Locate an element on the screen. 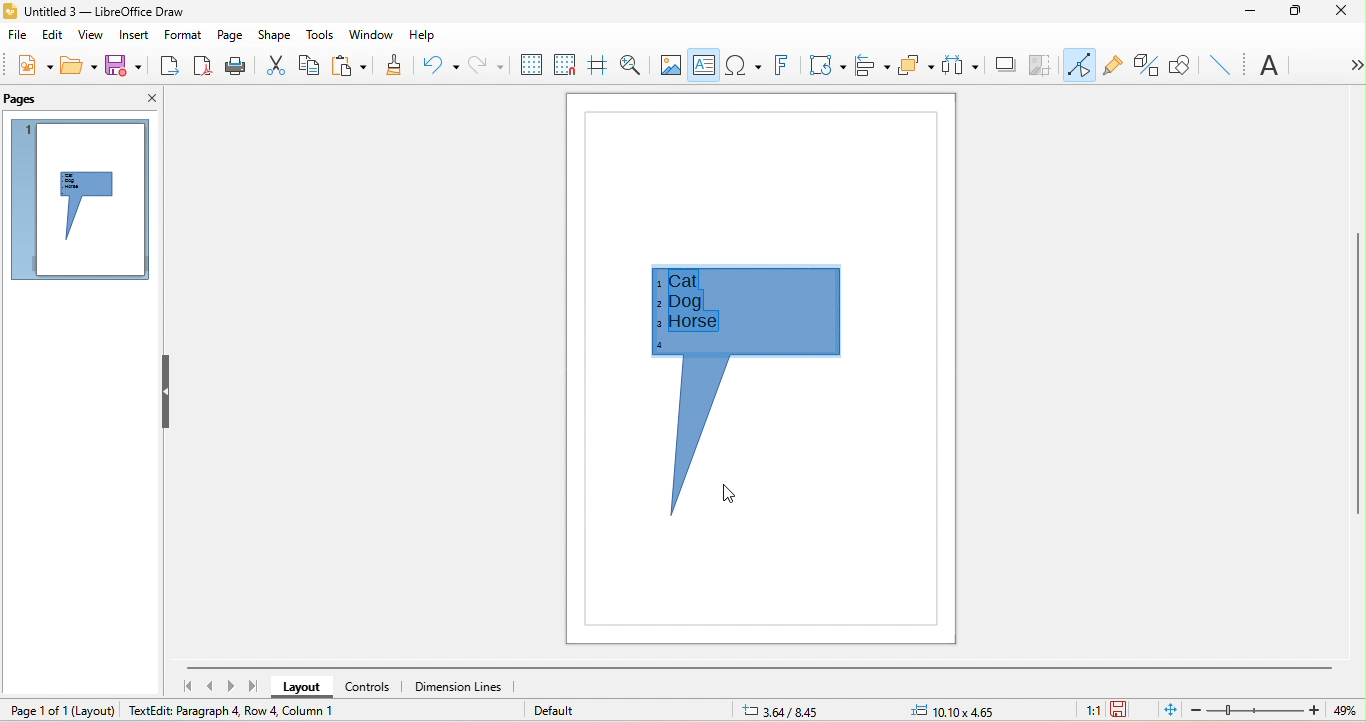 The width and height of the screenshot is (1366, 722). export directly as pdf is located at coordinates (203, 68).